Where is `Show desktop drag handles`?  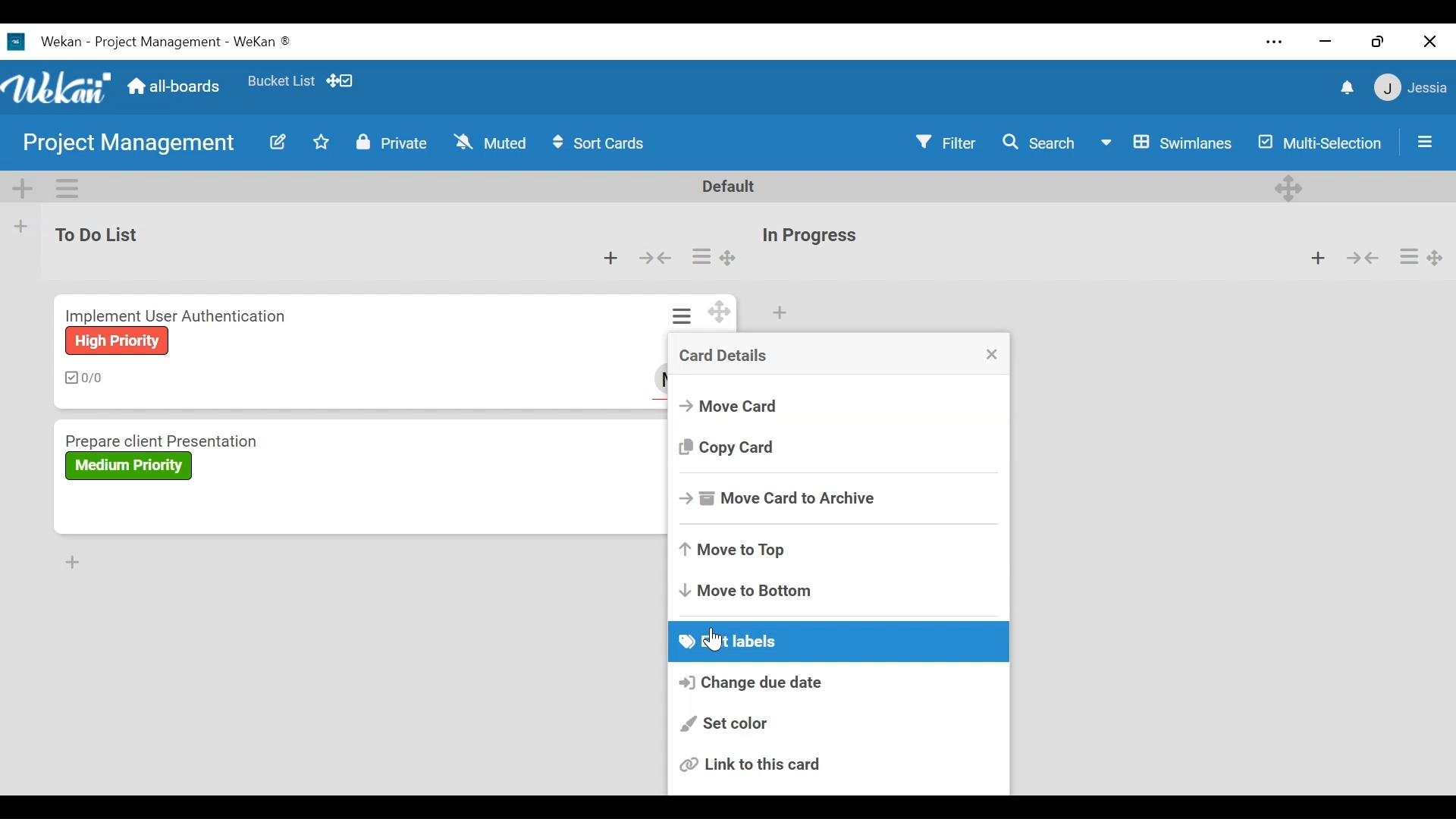 Show desktop drag handles is located at coordinates (343, 81).